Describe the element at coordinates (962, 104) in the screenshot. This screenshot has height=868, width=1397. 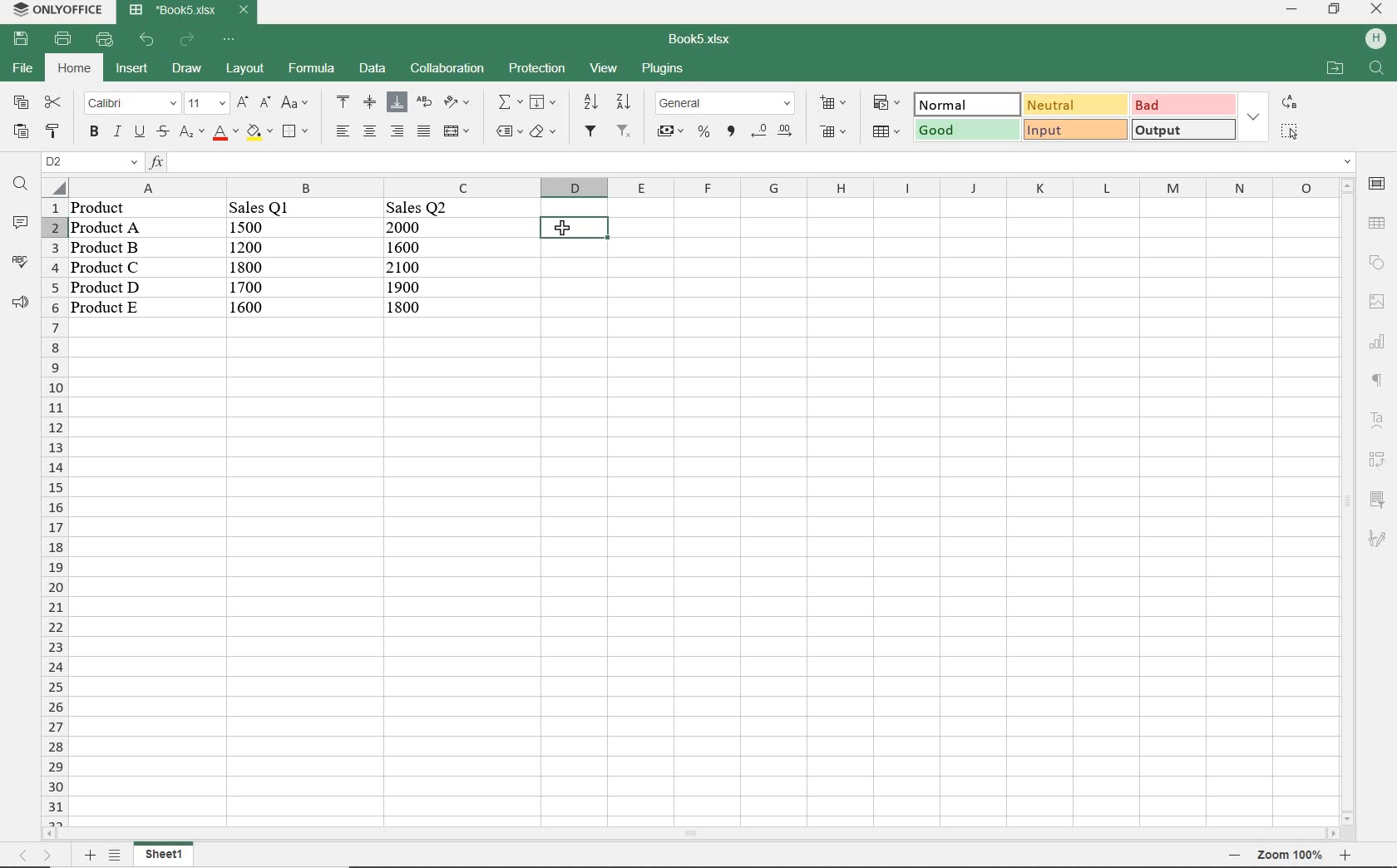
I see `normal` at that location.